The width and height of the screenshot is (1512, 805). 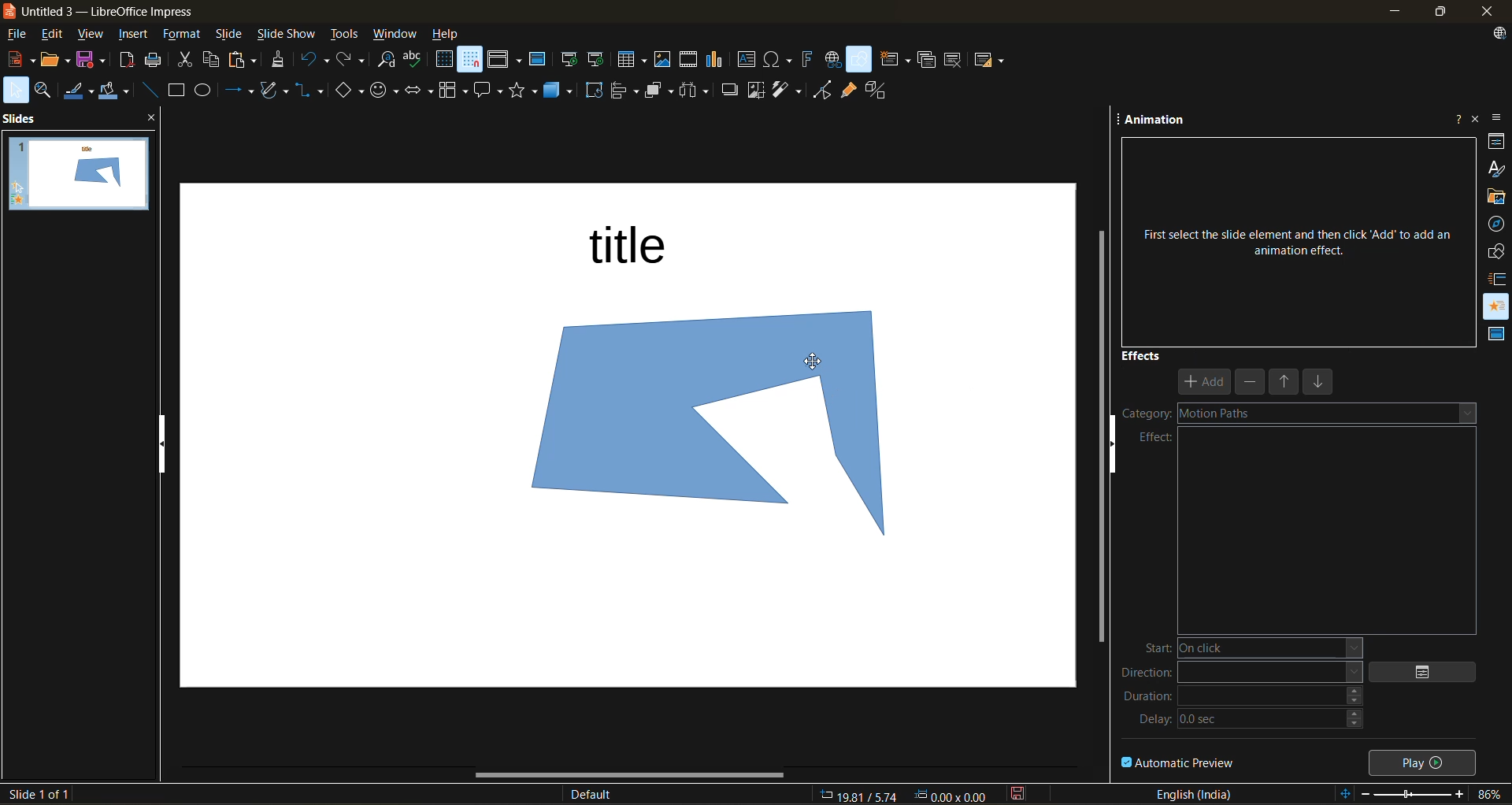 I want to click on symbol shapes, so click(x=385, y=93).